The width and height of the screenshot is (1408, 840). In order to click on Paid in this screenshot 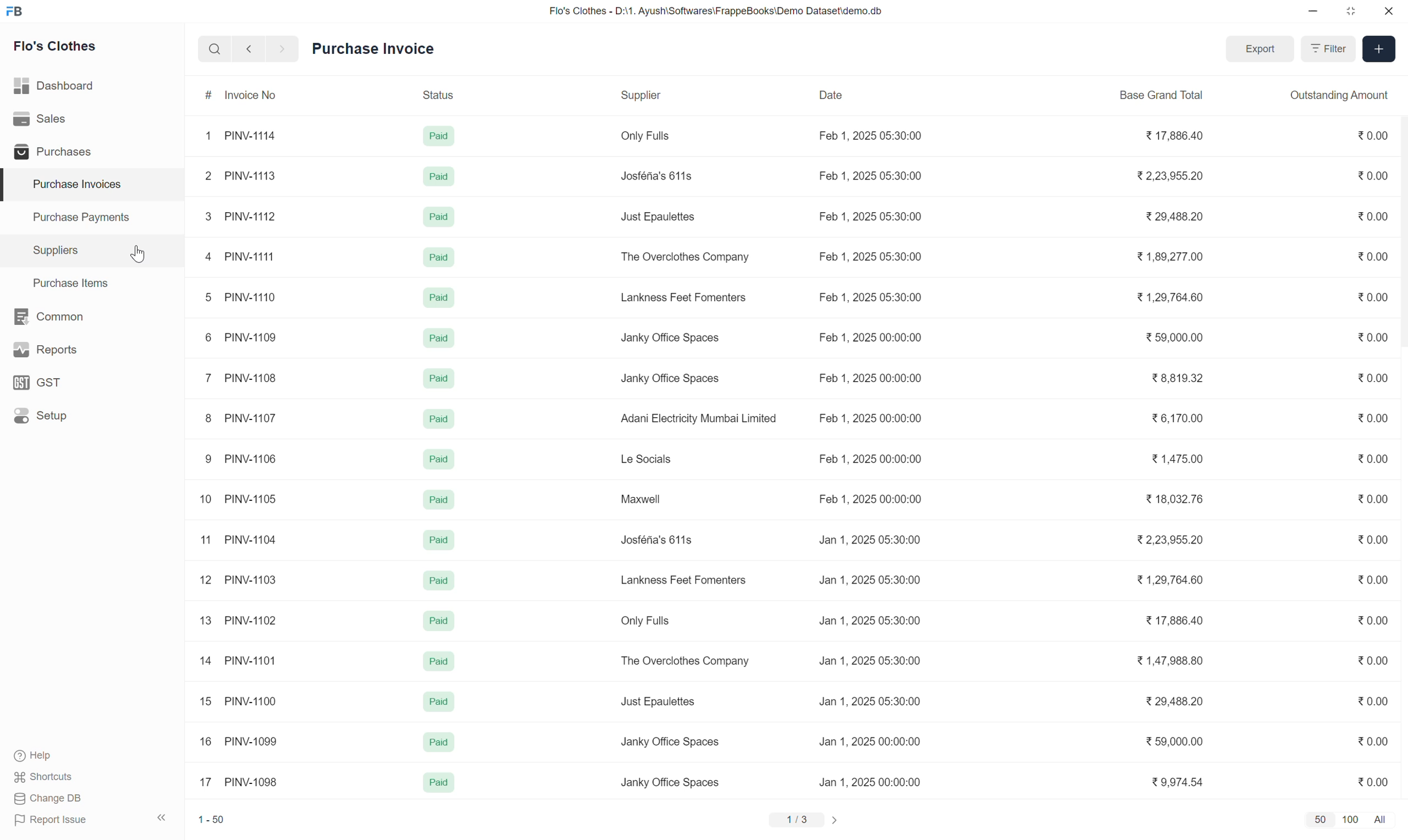, I will do `click(439, 742)`.